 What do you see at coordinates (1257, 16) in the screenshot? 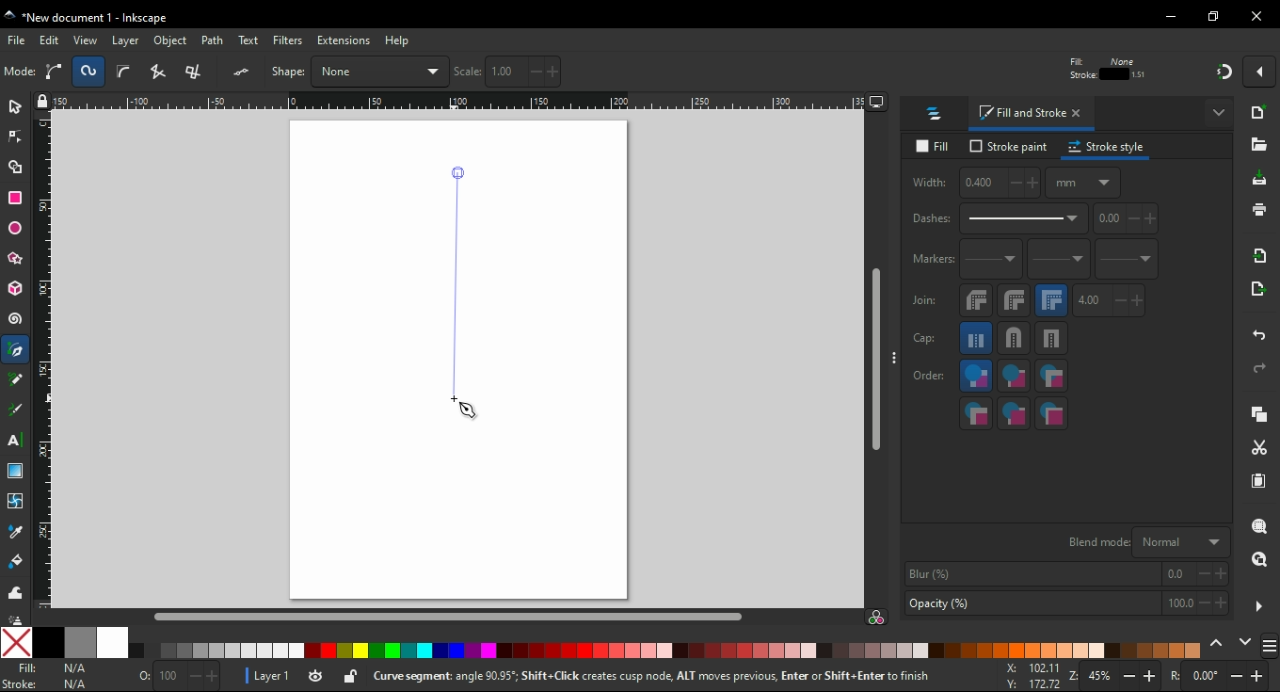
I see `close window` at bounding box center [1257, 16].